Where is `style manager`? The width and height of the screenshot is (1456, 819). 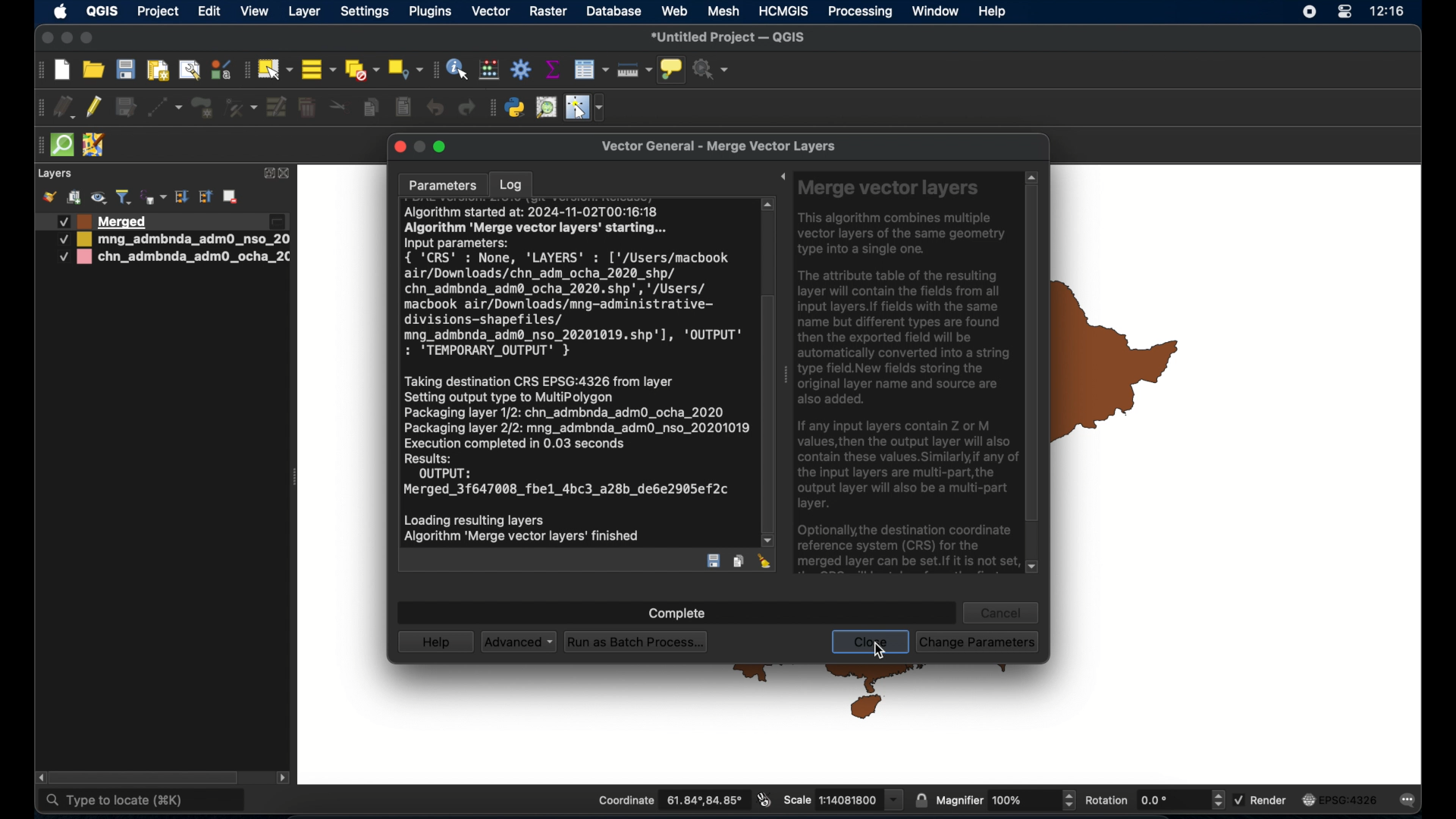 style manager is located at coordinates (220, 69).